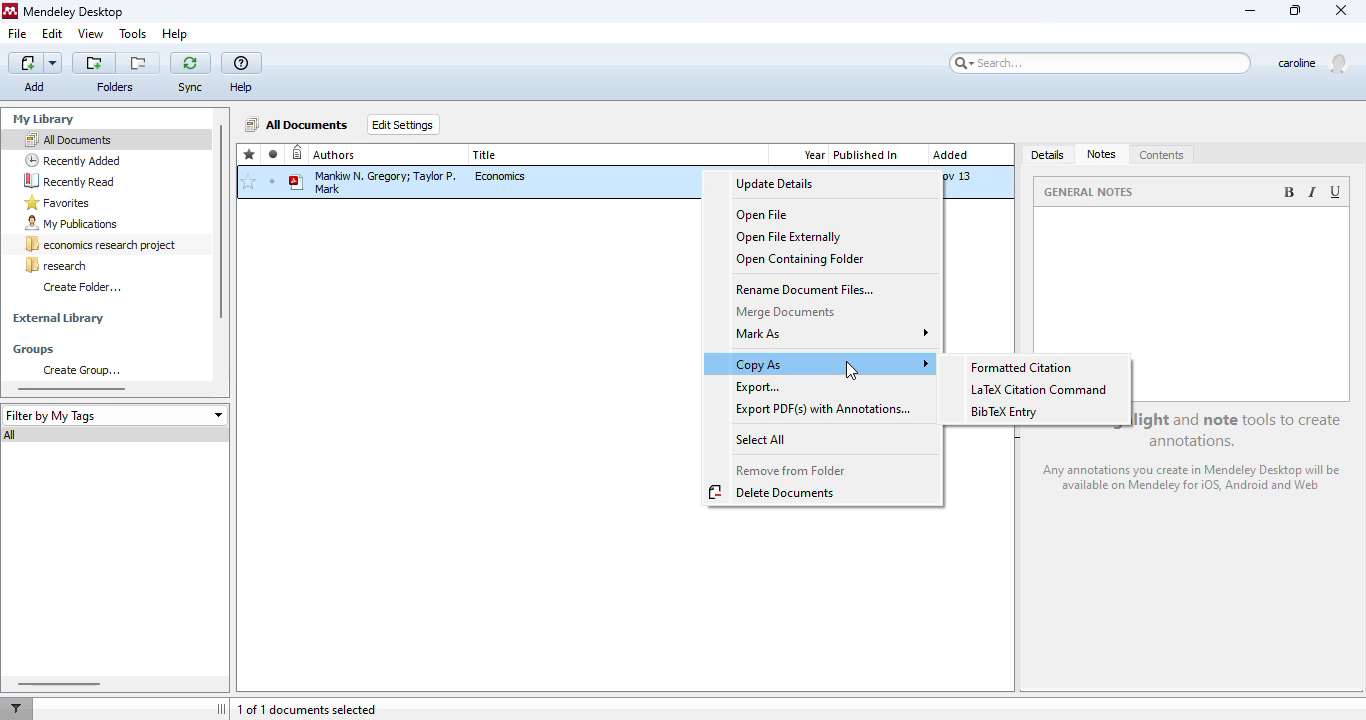 The image size is (1366, 720). What do you see at coordinates (792, 470) in the screenshot?
I see `remove from folder` at bounding box center [792, 470].